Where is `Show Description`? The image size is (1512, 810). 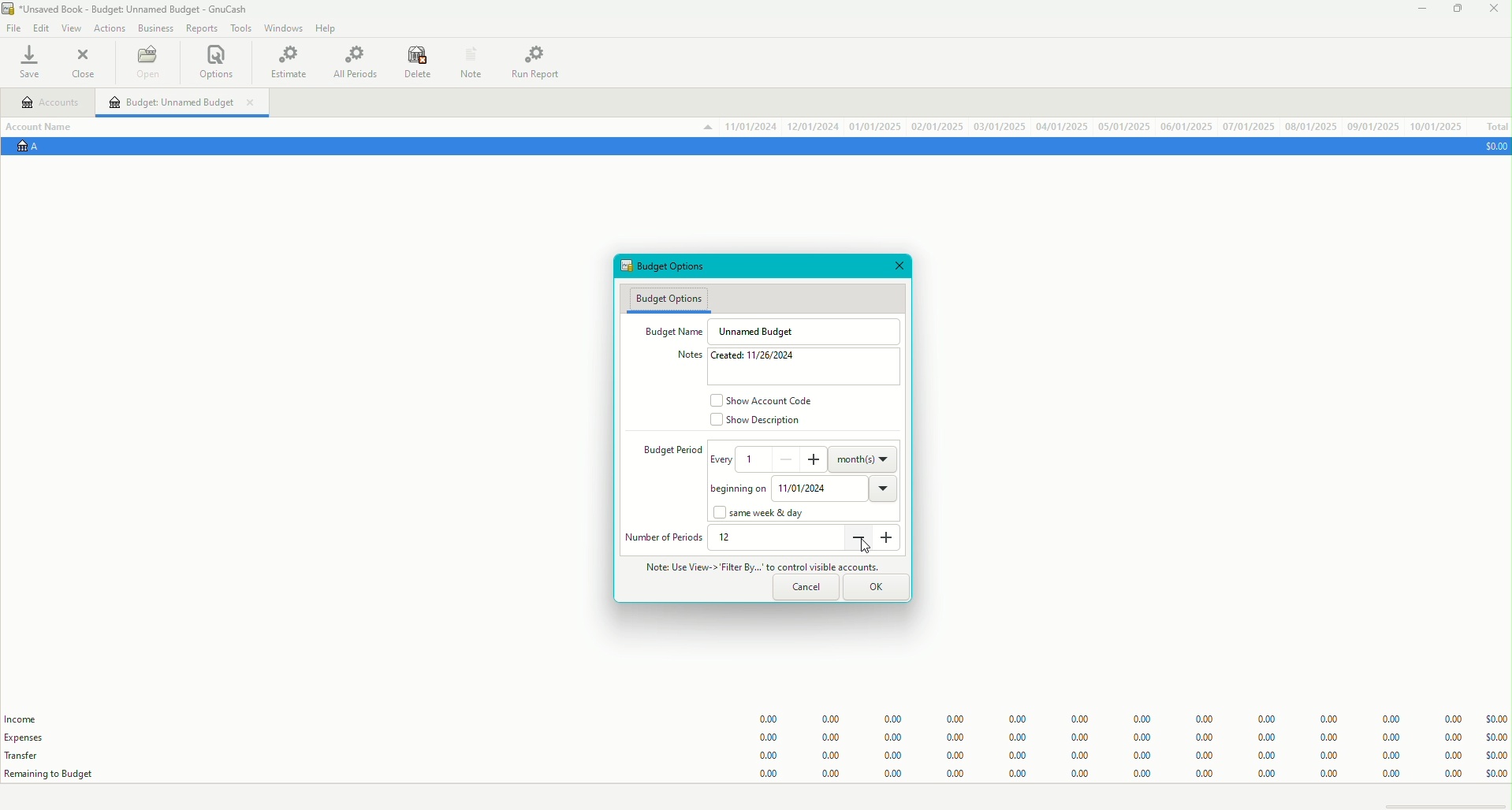
Show Description is located at coordinates (758, 423).